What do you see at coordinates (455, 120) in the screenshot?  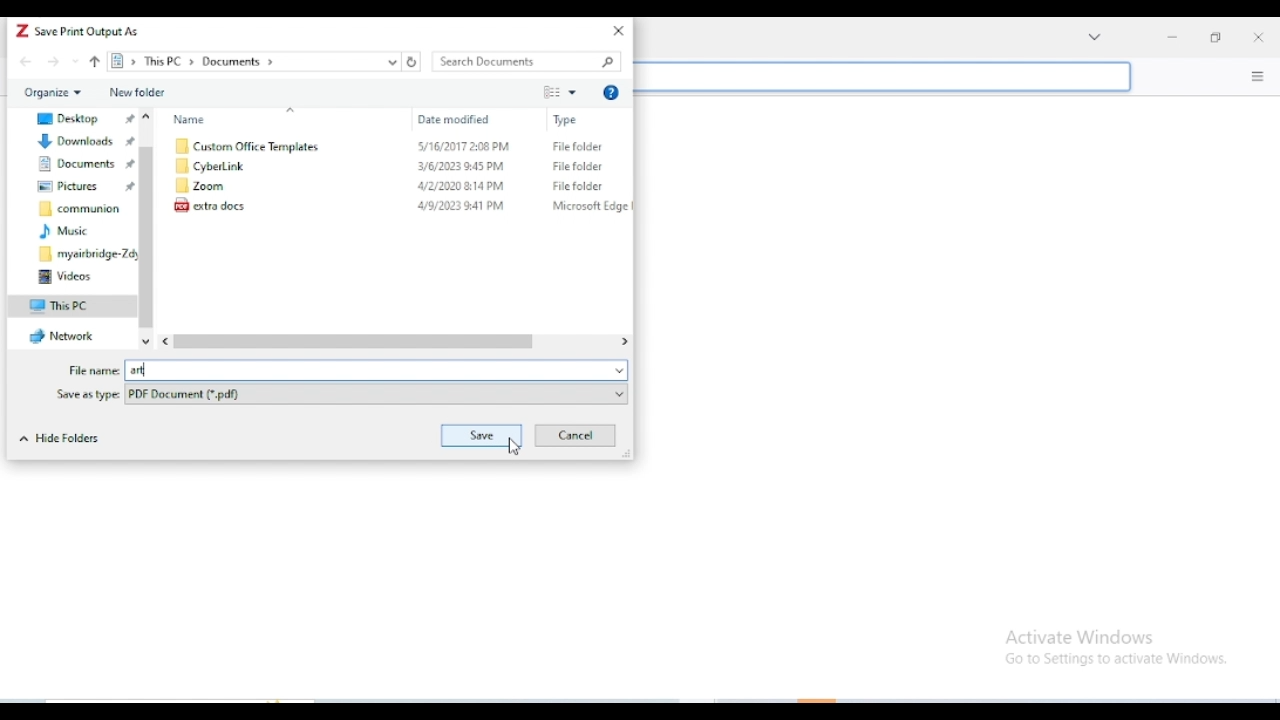 I see `Date modified` at bounding box center [455, 120].